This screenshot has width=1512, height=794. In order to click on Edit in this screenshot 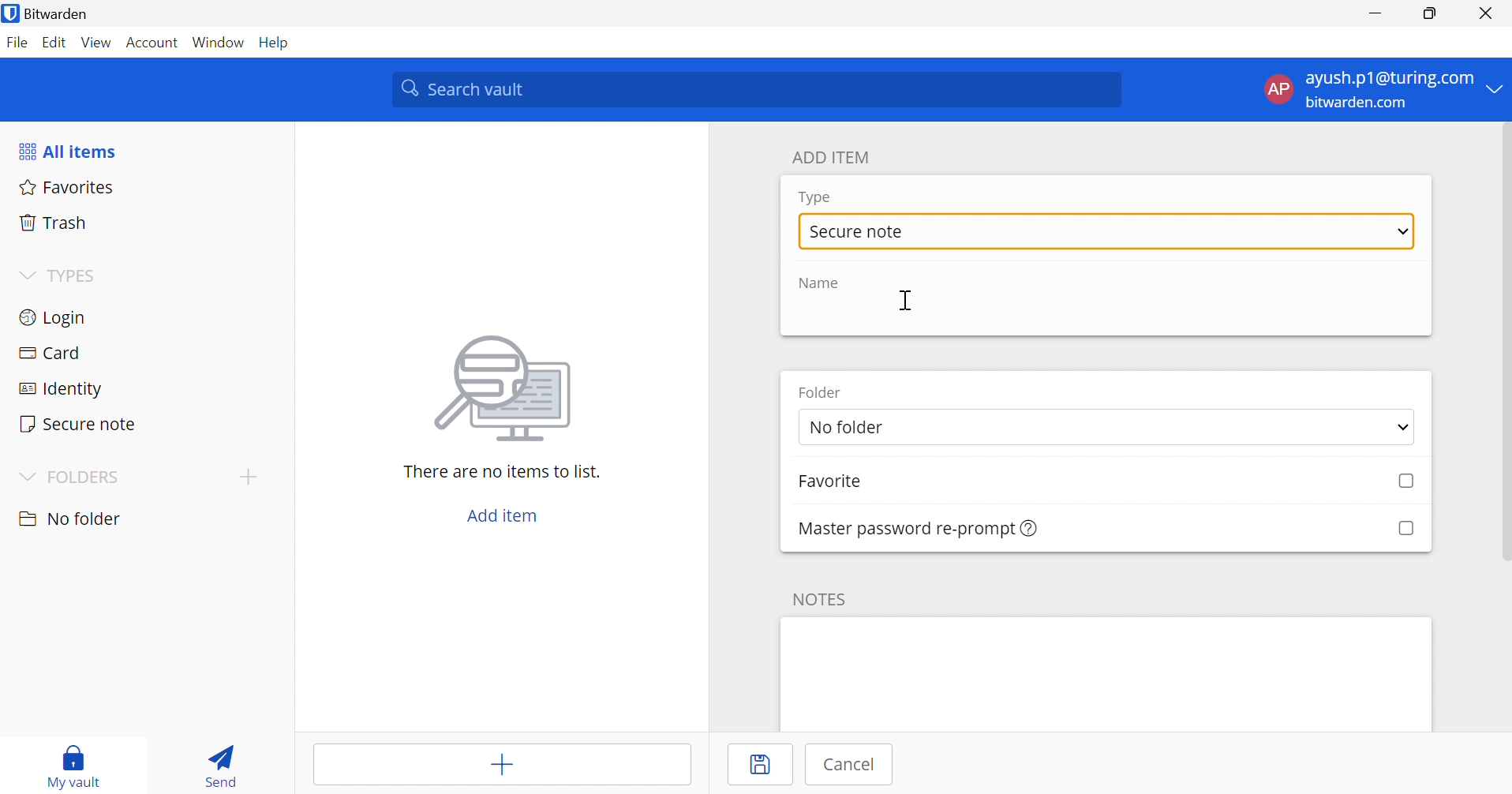, I will do `click(54, 41)`.